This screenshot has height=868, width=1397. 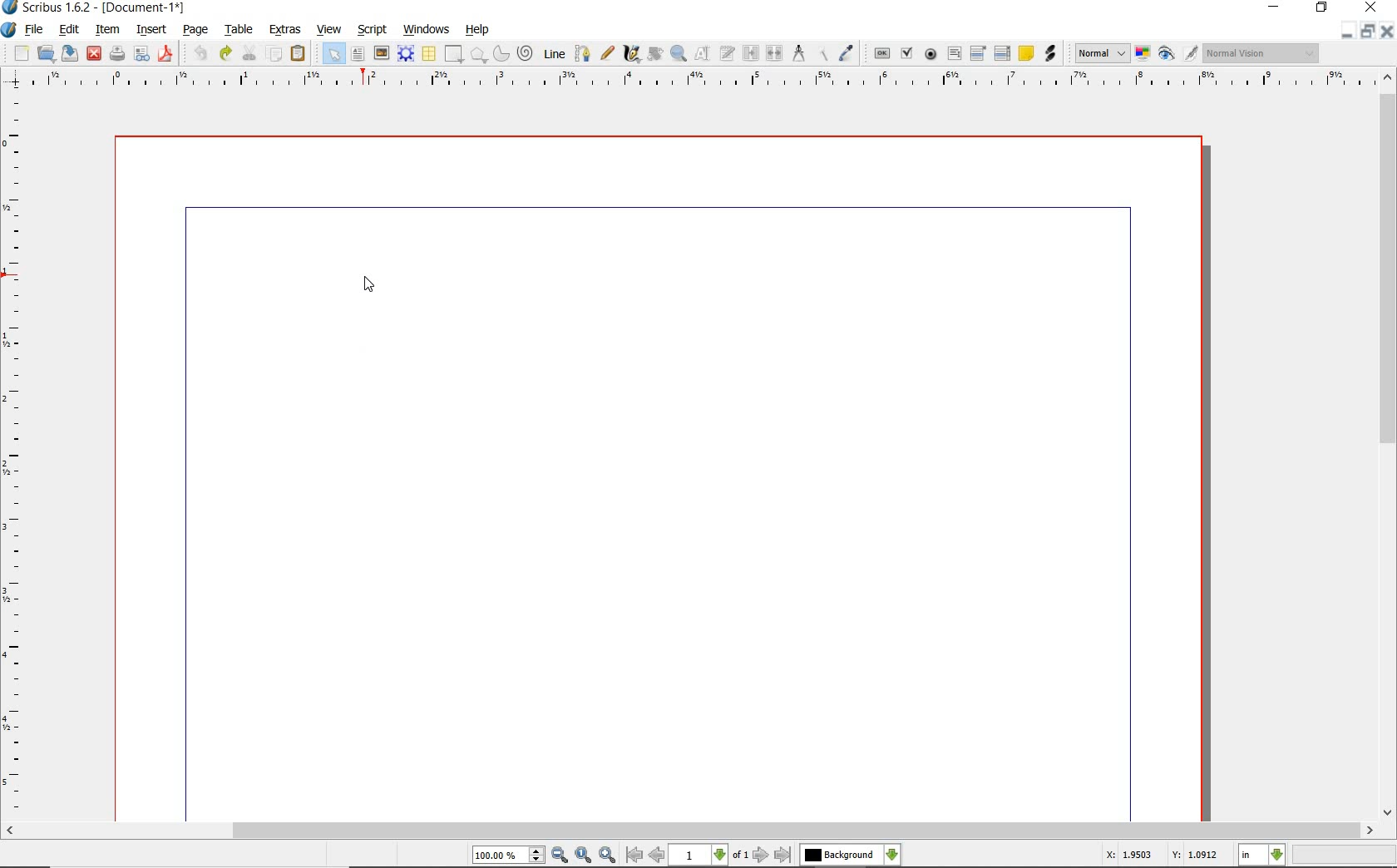 I want to click on go to next page, so click(x=761, y=855).